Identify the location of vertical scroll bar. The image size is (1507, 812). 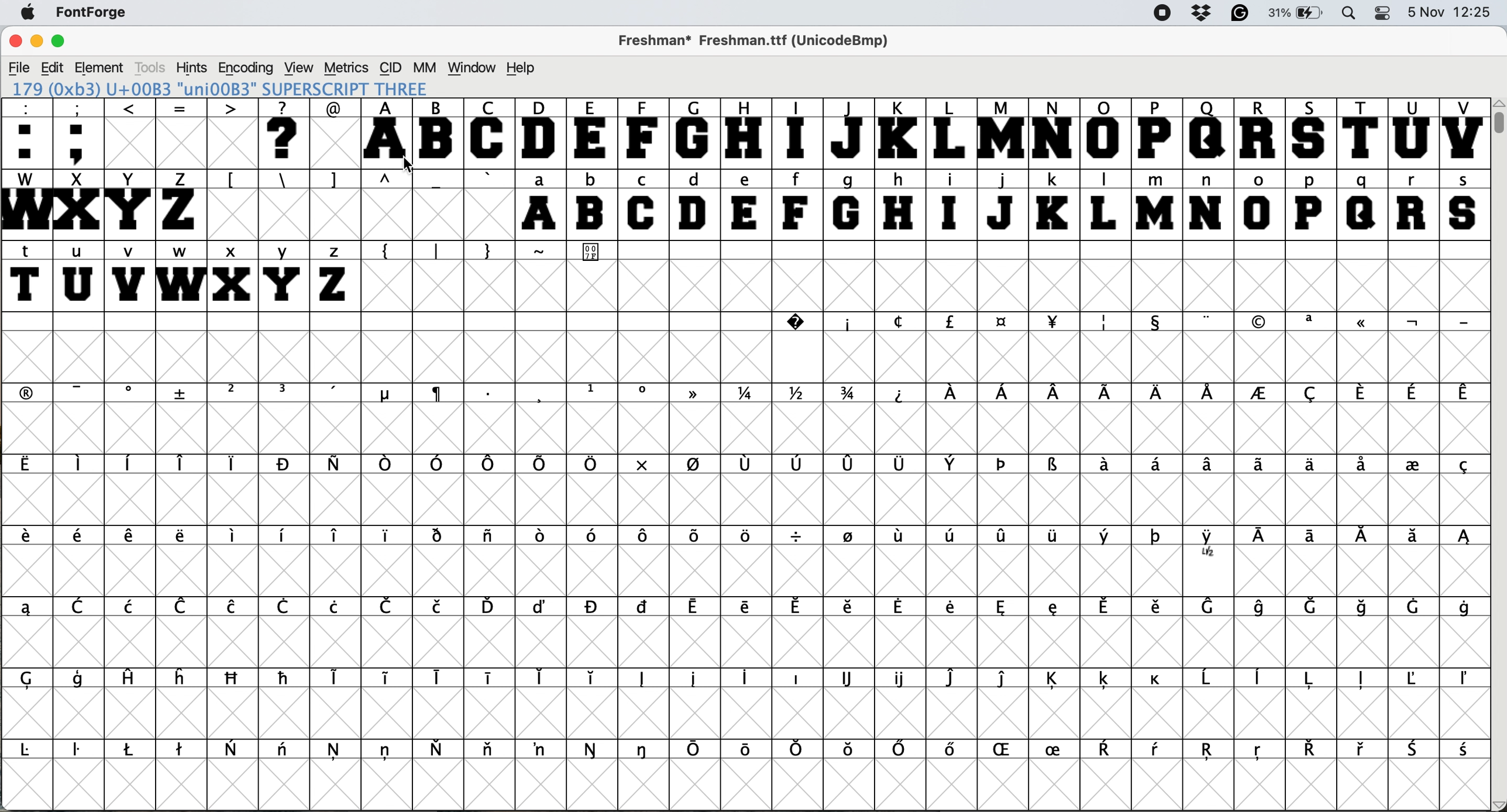
(1498, 455).